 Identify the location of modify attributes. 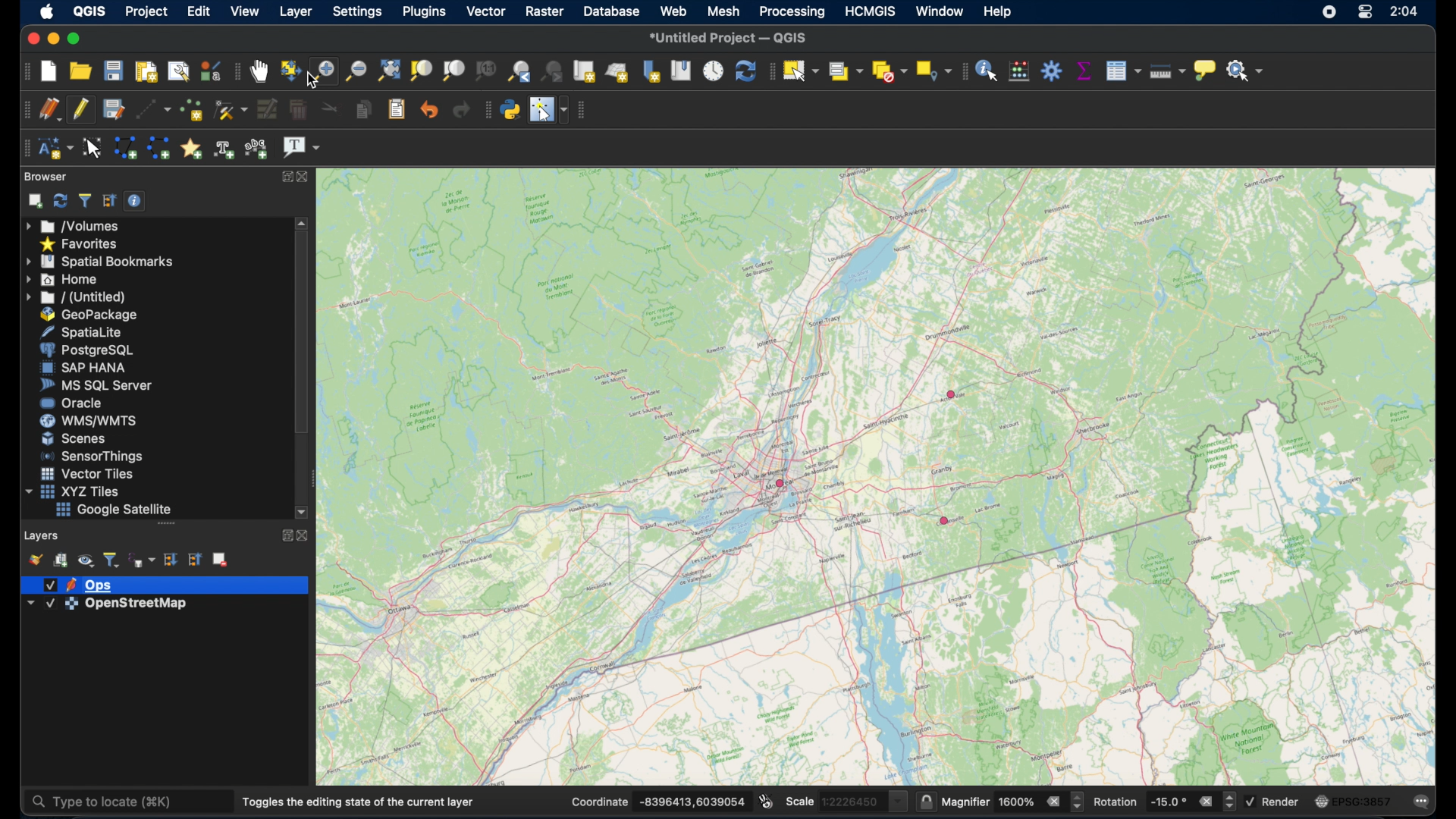
(268, 110).